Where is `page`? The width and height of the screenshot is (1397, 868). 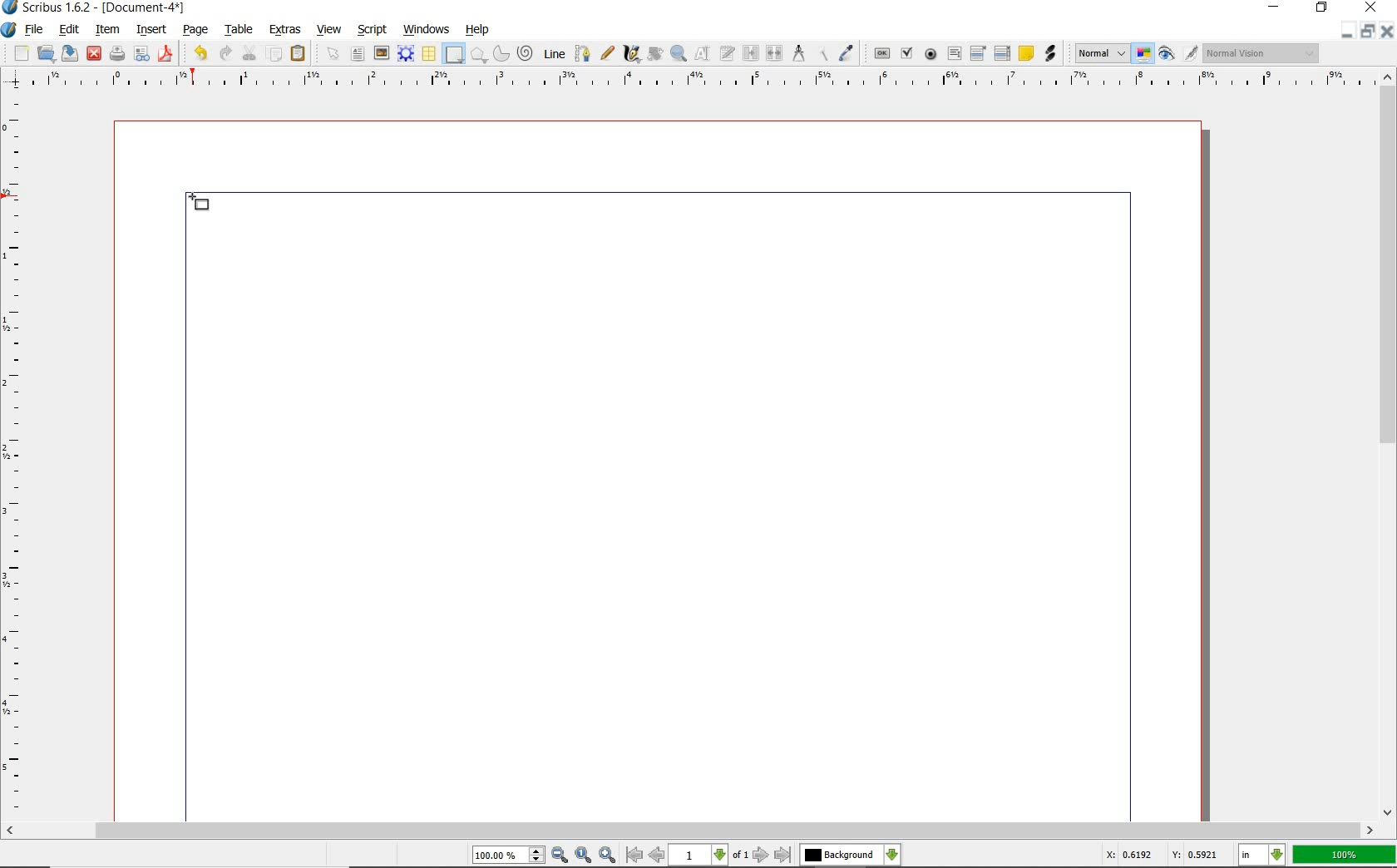
page is located at coordinates (197, 31).